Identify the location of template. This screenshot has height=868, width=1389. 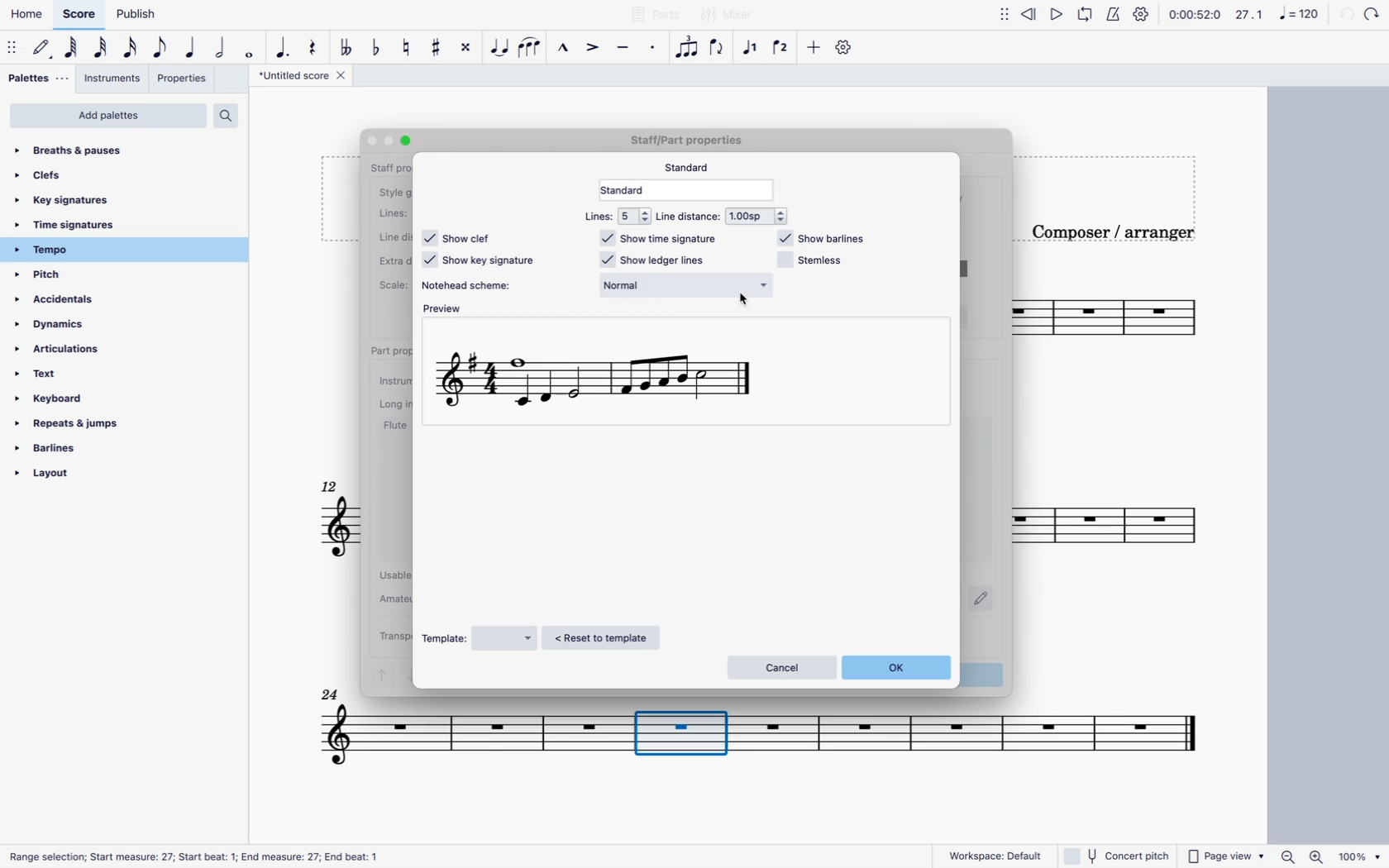
(480, 638).